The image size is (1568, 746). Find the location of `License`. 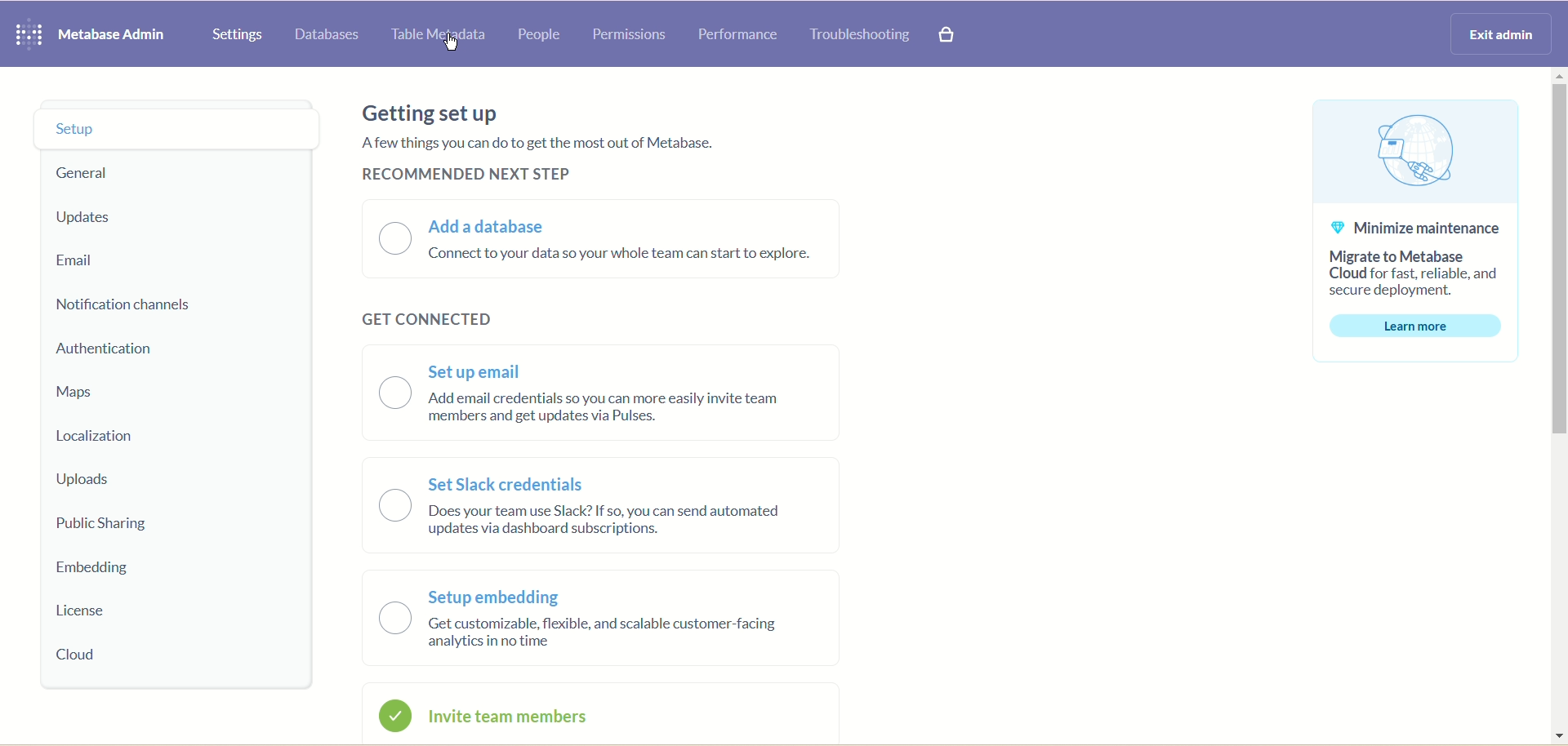

License is located at coordinates (104, 609).